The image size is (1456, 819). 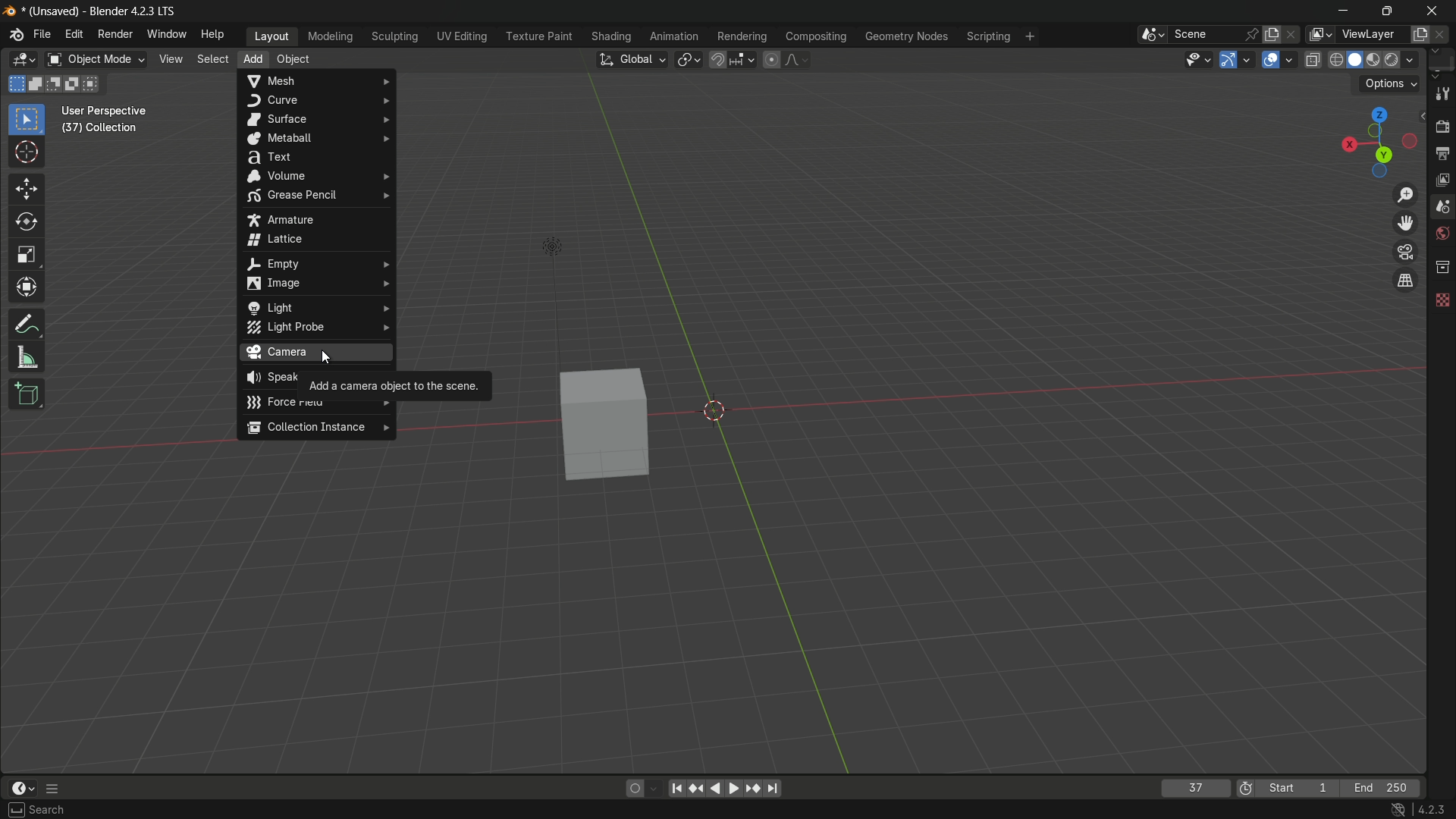 I want to click on layout menu, so click(x=269, y=36).